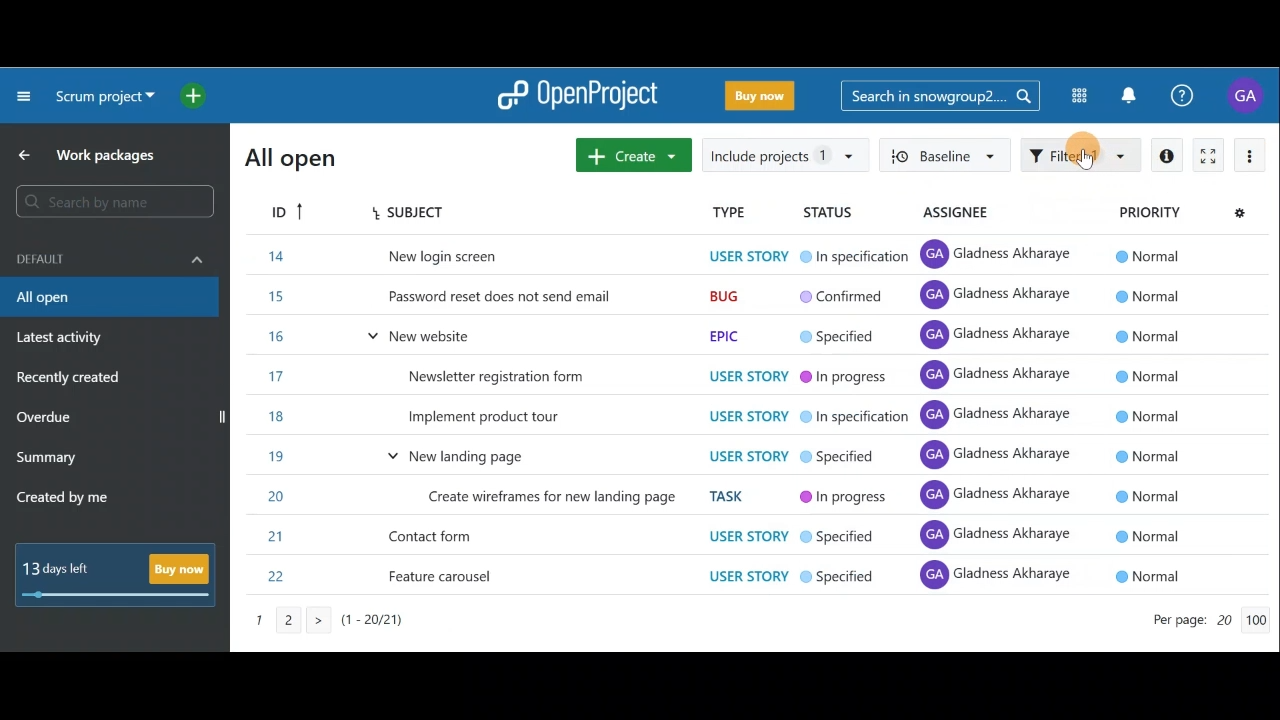 The height and width of the screenshot is (720, 1280). Describe the element at coordinates (833, 209) in the screenshot. I see `Status` at that location.